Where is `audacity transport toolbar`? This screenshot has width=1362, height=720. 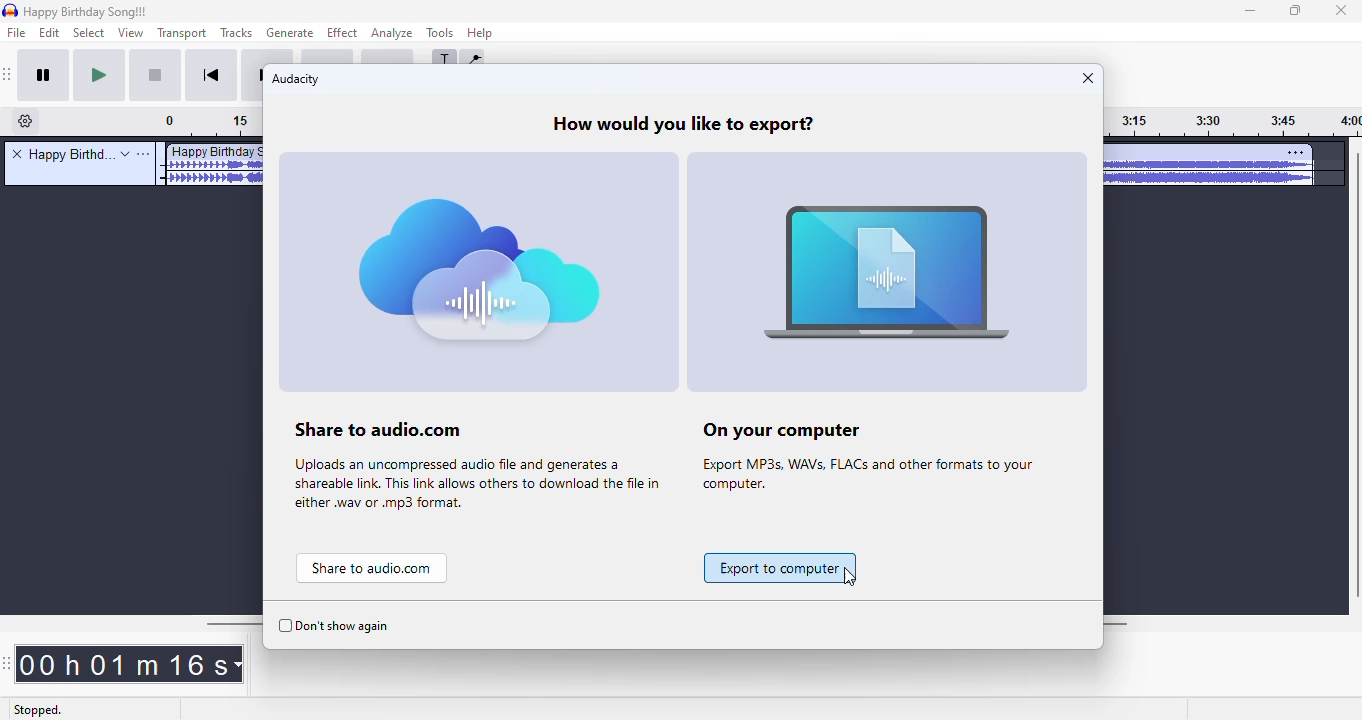
audacity transport toolbar is located at coordinates (9, 75).